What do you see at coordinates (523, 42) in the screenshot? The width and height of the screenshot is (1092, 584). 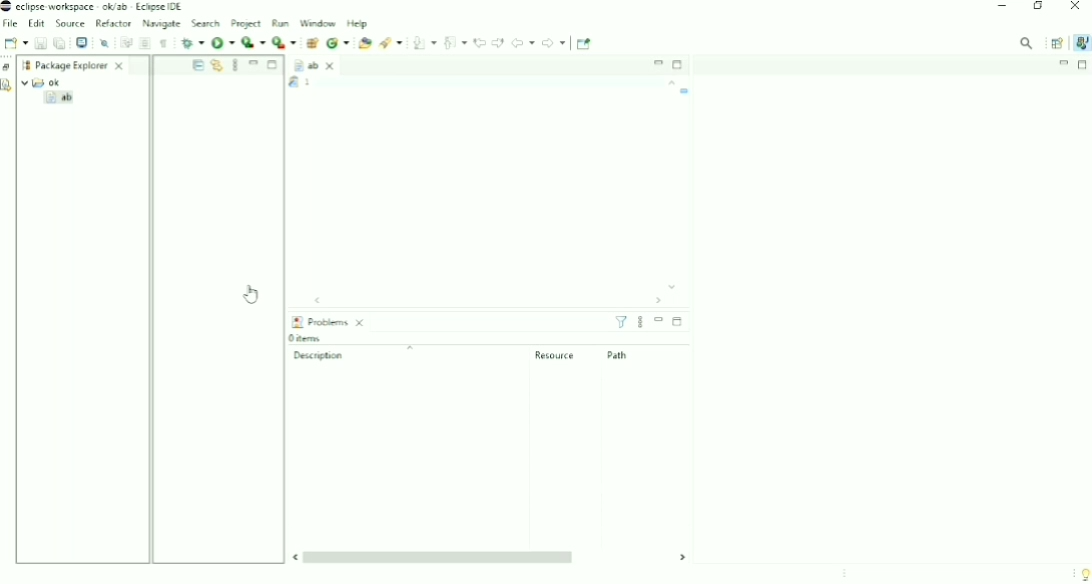 I see `Back` at bounding box center [523, 42].